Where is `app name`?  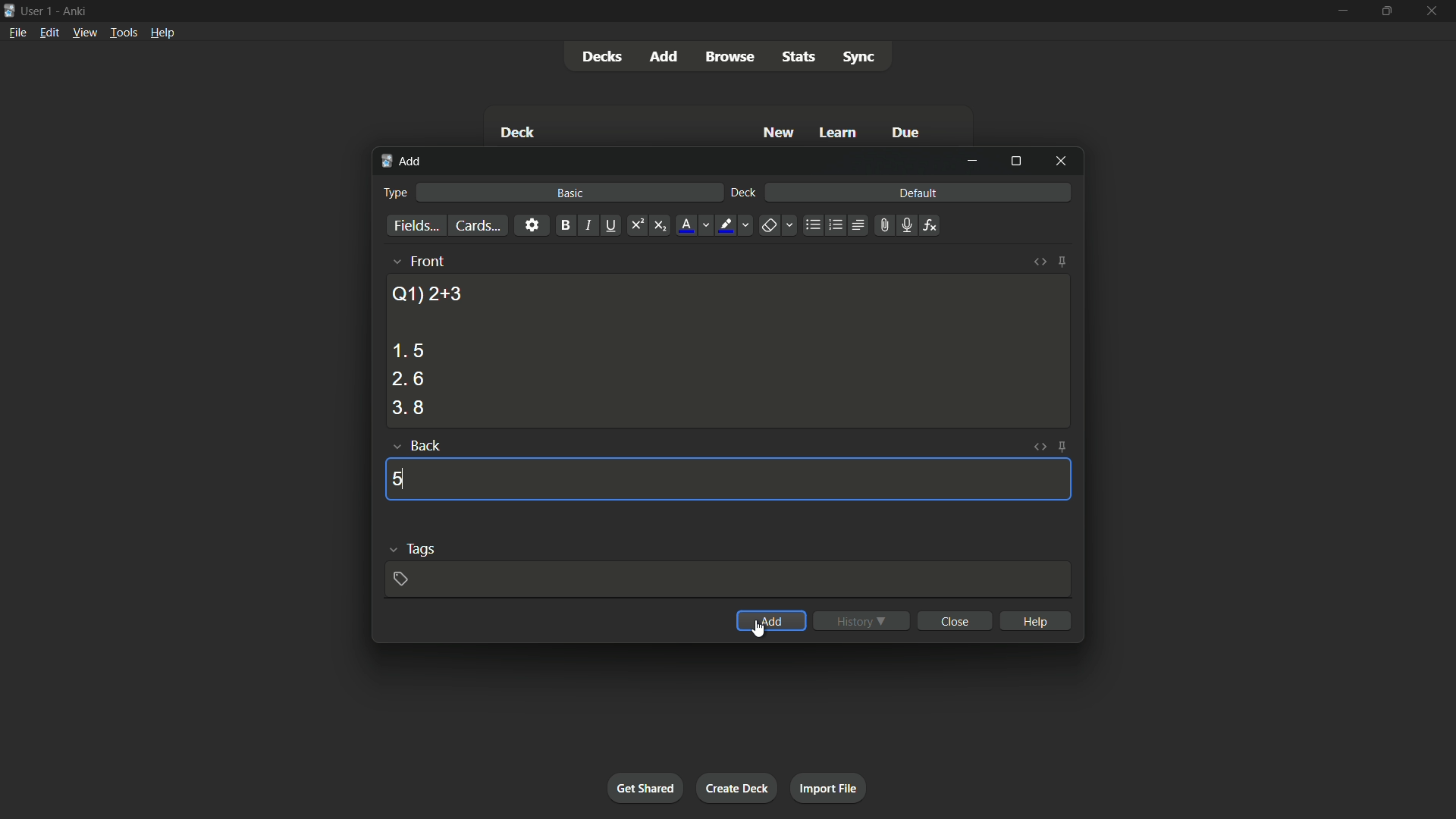 app name is located at coordinates (74, 9).